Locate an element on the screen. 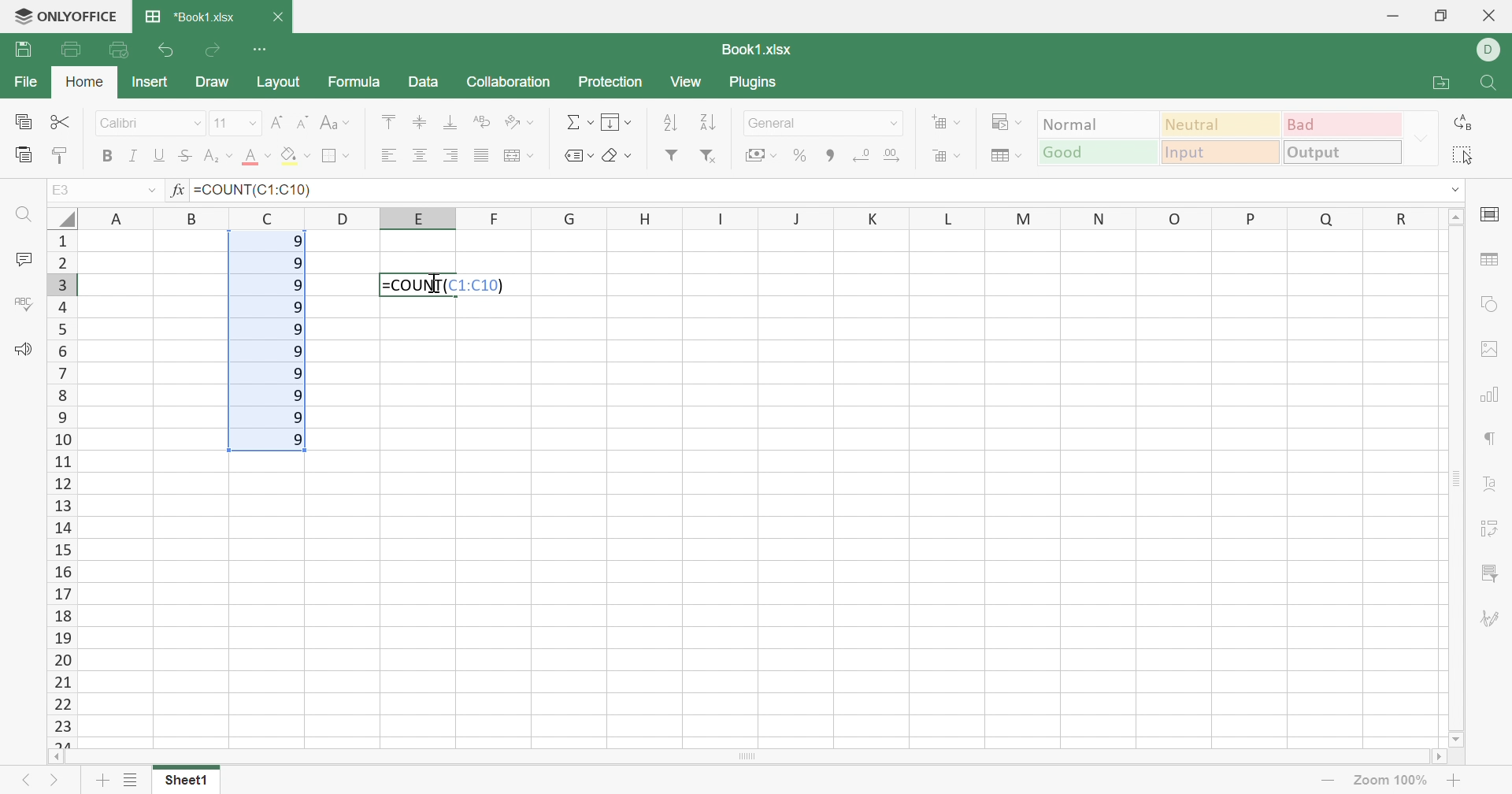 The width and height of the screenshot is (1512, 794). Merge and center is located at coordinates (521, 155).